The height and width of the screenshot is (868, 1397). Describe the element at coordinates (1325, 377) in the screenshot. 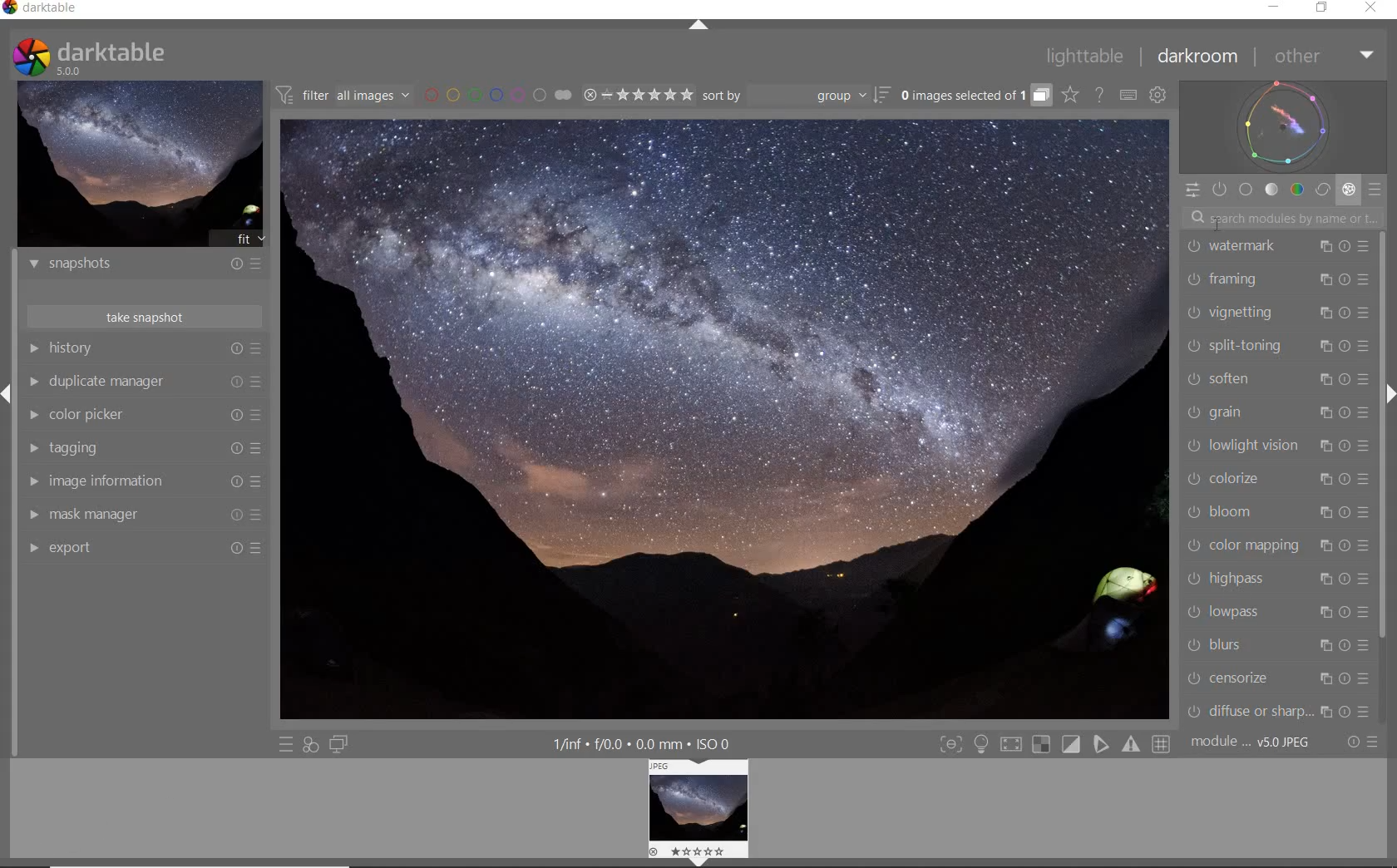

I see `multiple instance actions` at that location.